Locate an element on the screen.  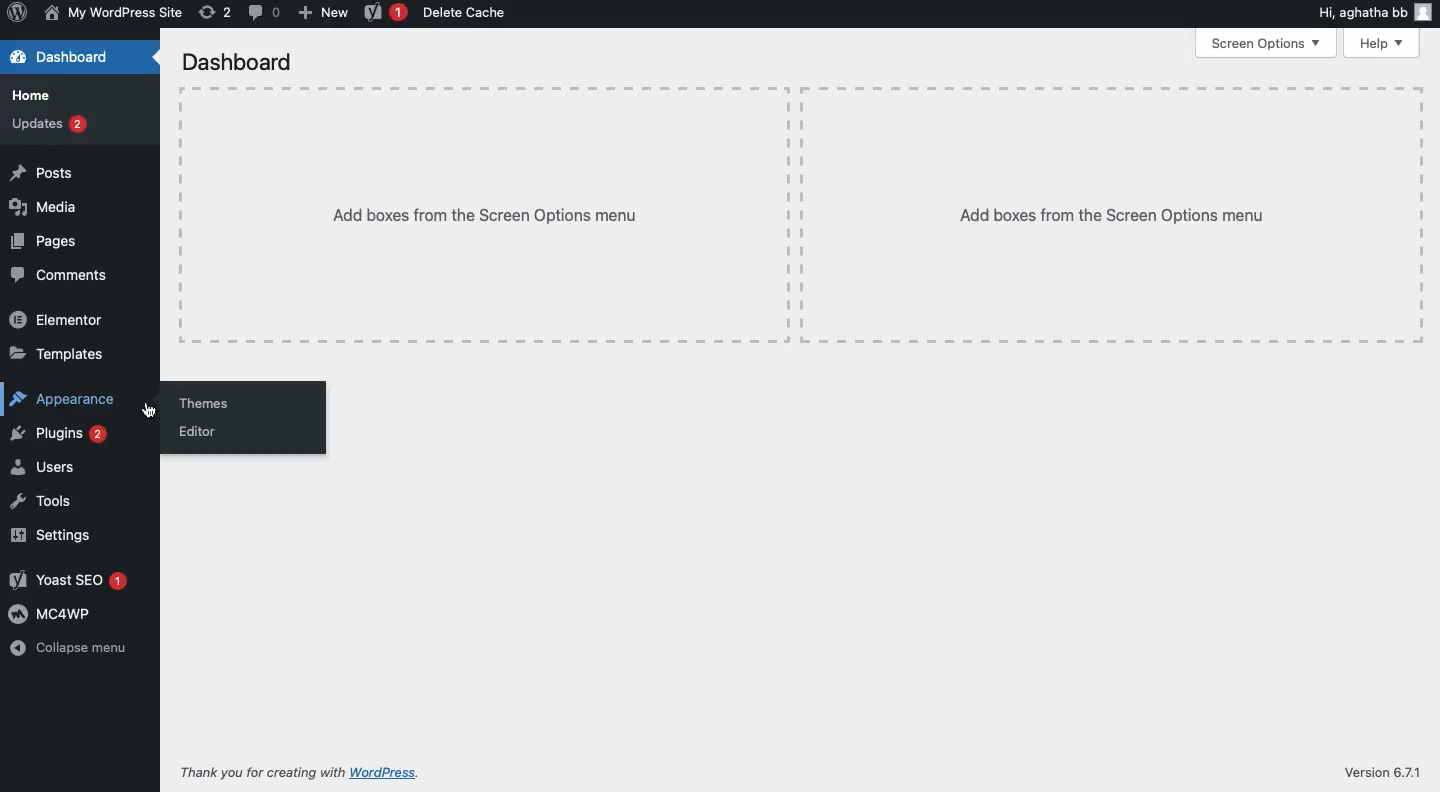
Yoast is located at coordinates (66, 580).